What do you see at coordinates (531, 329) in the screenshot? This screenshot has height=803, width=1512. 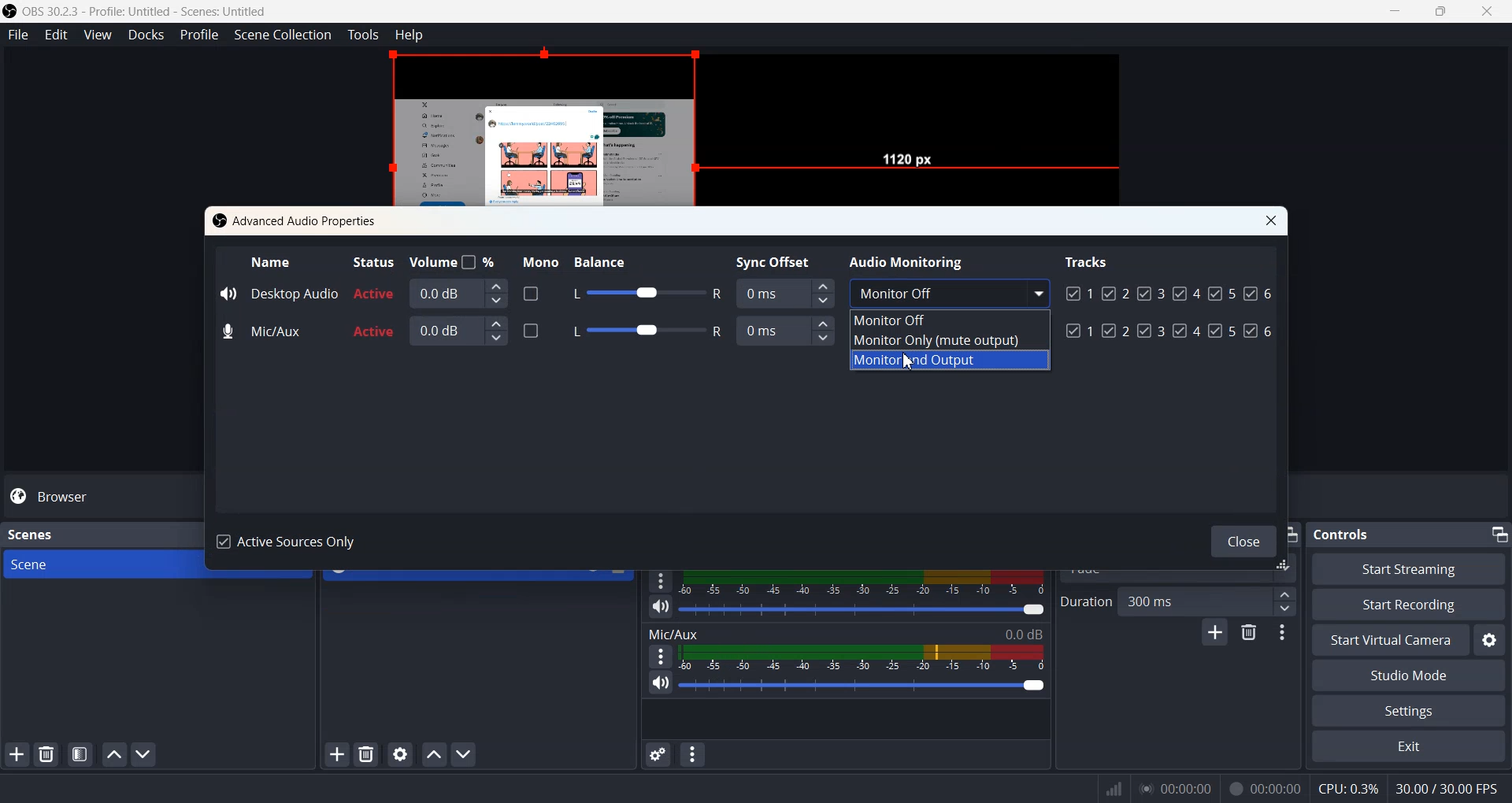 I see `Enabled/ disable Mono` at bounding box center [531, 329].